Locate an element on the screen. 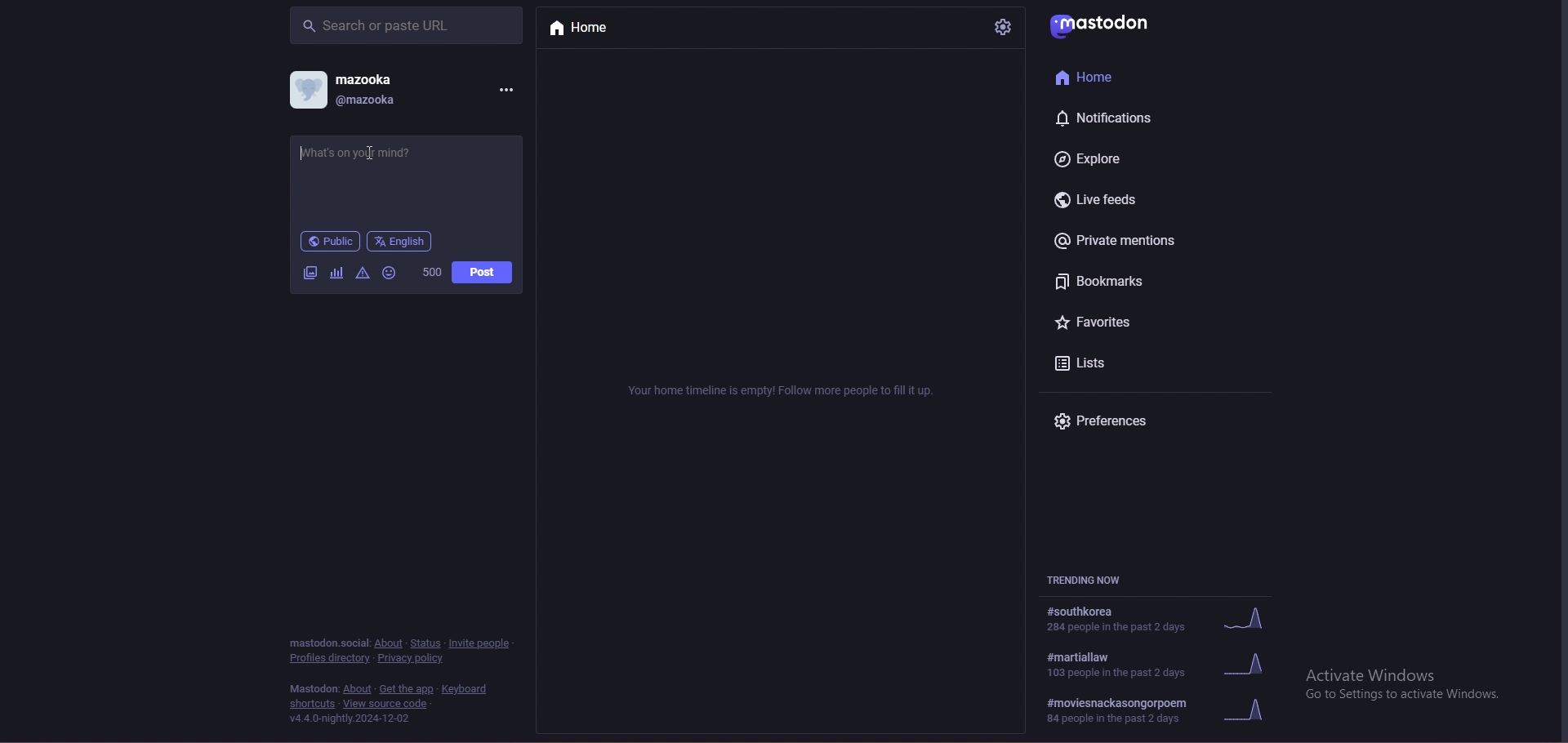 The width and height of the screenshot is (1568, 743). trending is located at coordinates (1156, 618).